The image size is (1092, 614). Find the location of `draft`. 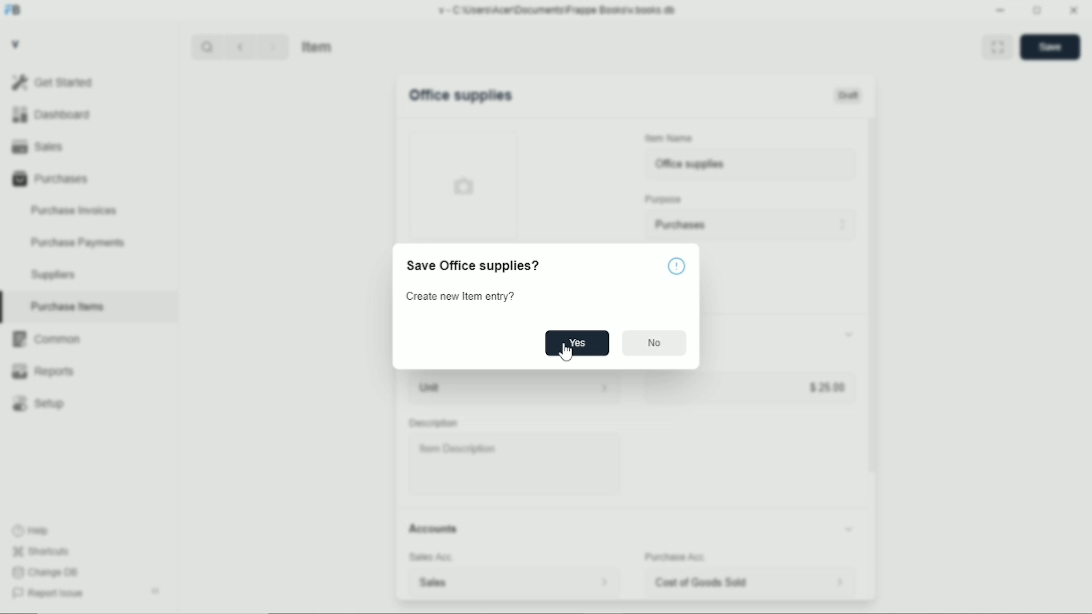

draft is located at coordinates (849, 95).